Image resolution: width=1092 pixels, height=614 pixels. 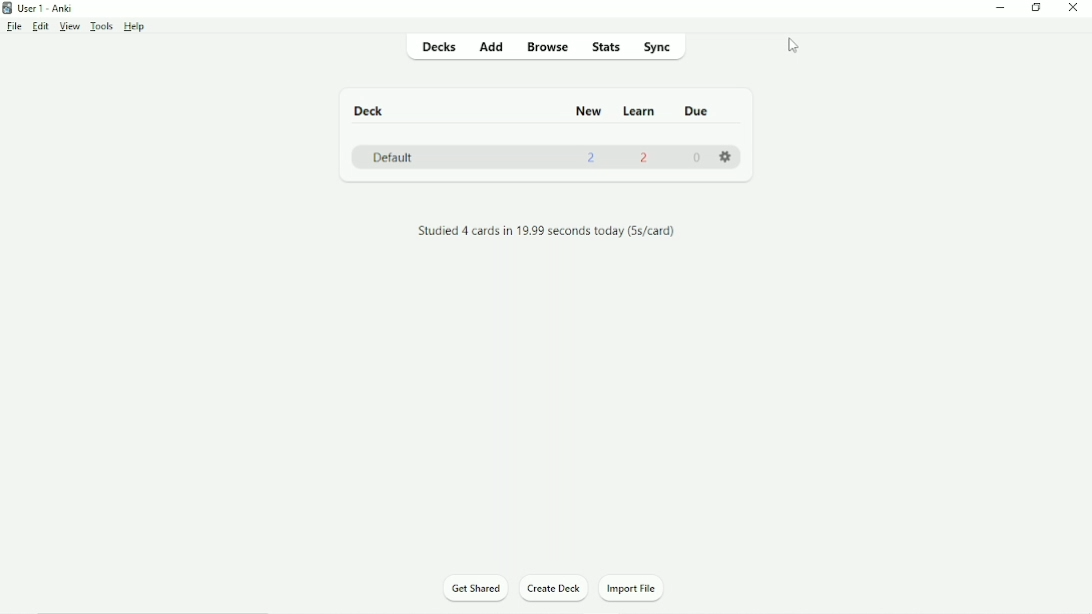 What do you see at coordinates (697, 159) in the screenshot?
I see `0` at bounding box center [697, 159].